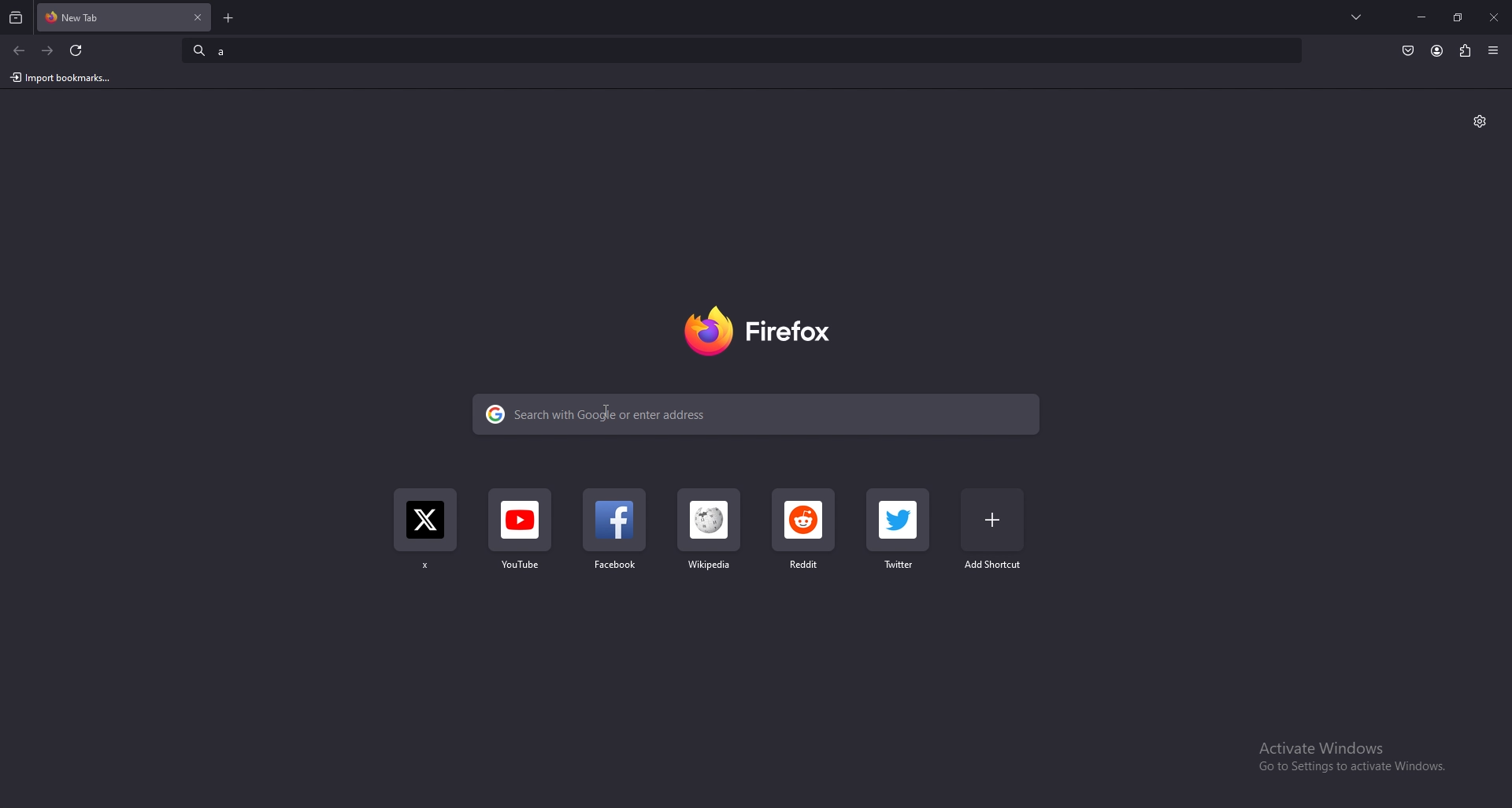  I want to click on profile, so click(1436, 51).